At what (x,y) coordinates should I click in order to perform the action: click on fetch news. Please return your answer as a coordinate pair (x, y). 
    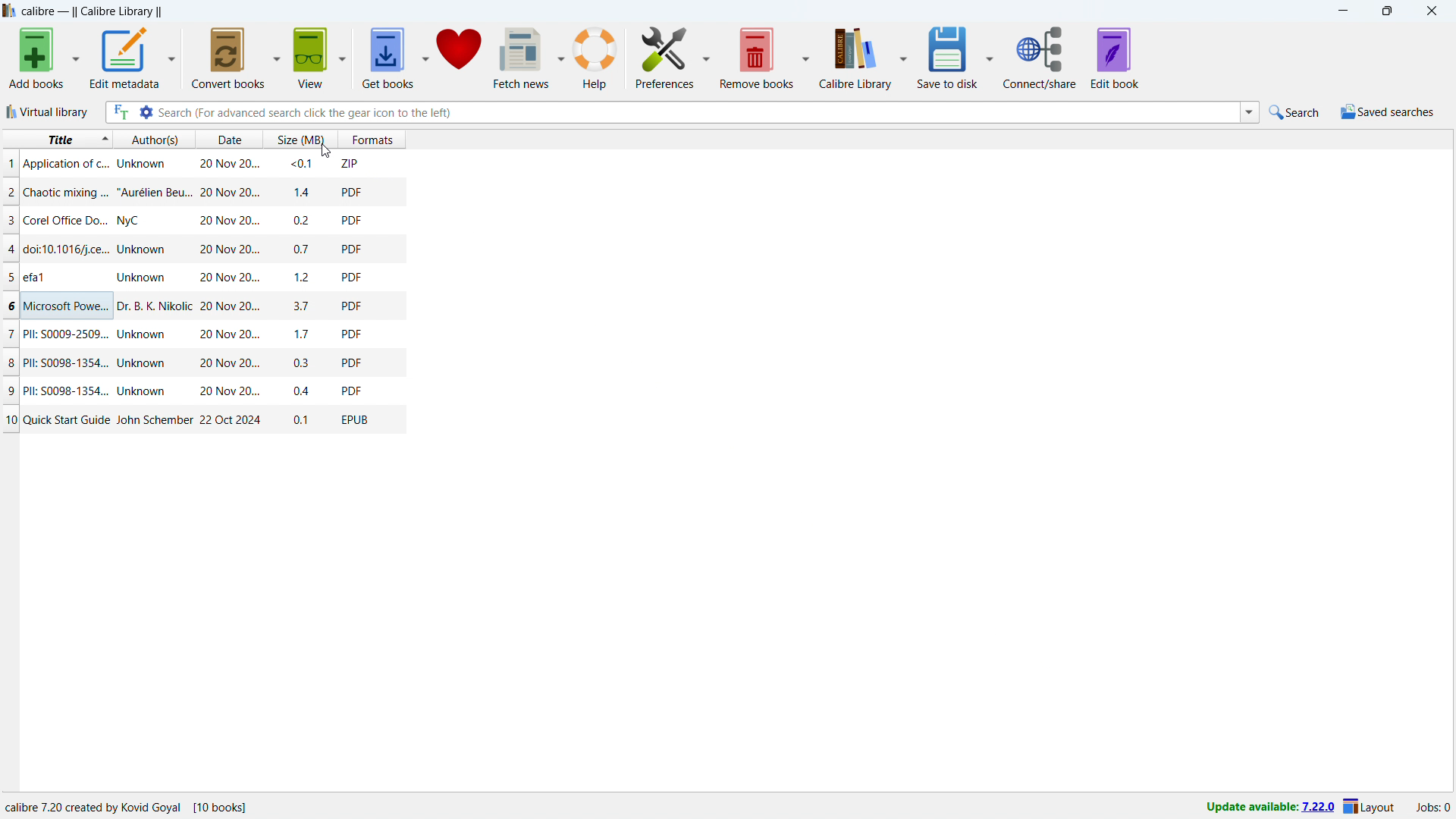
    Looking at the image, I should click on (522, 58).